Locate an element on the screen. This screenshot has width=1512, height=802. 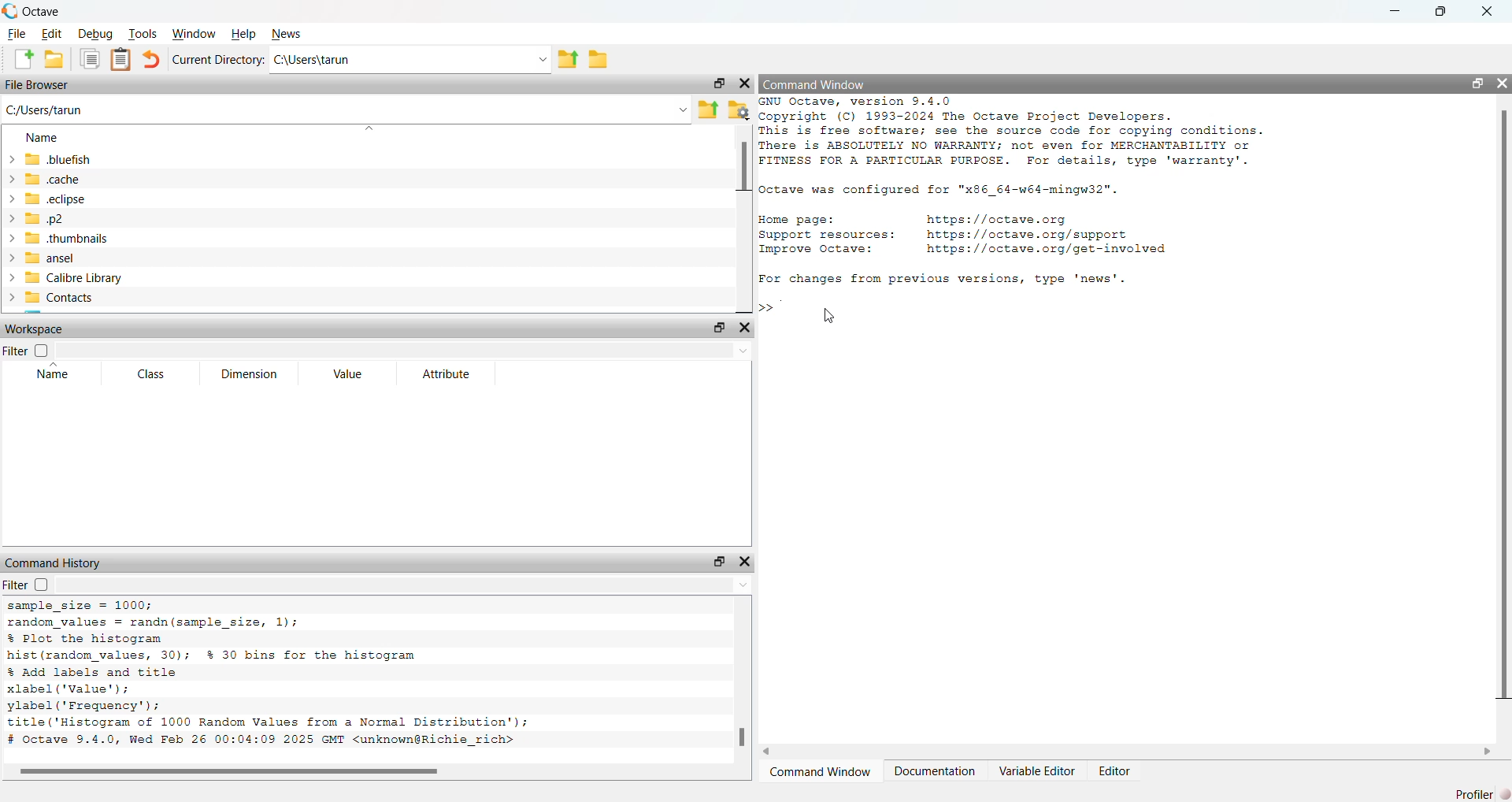
Filter is located at coordinates (28, 585).